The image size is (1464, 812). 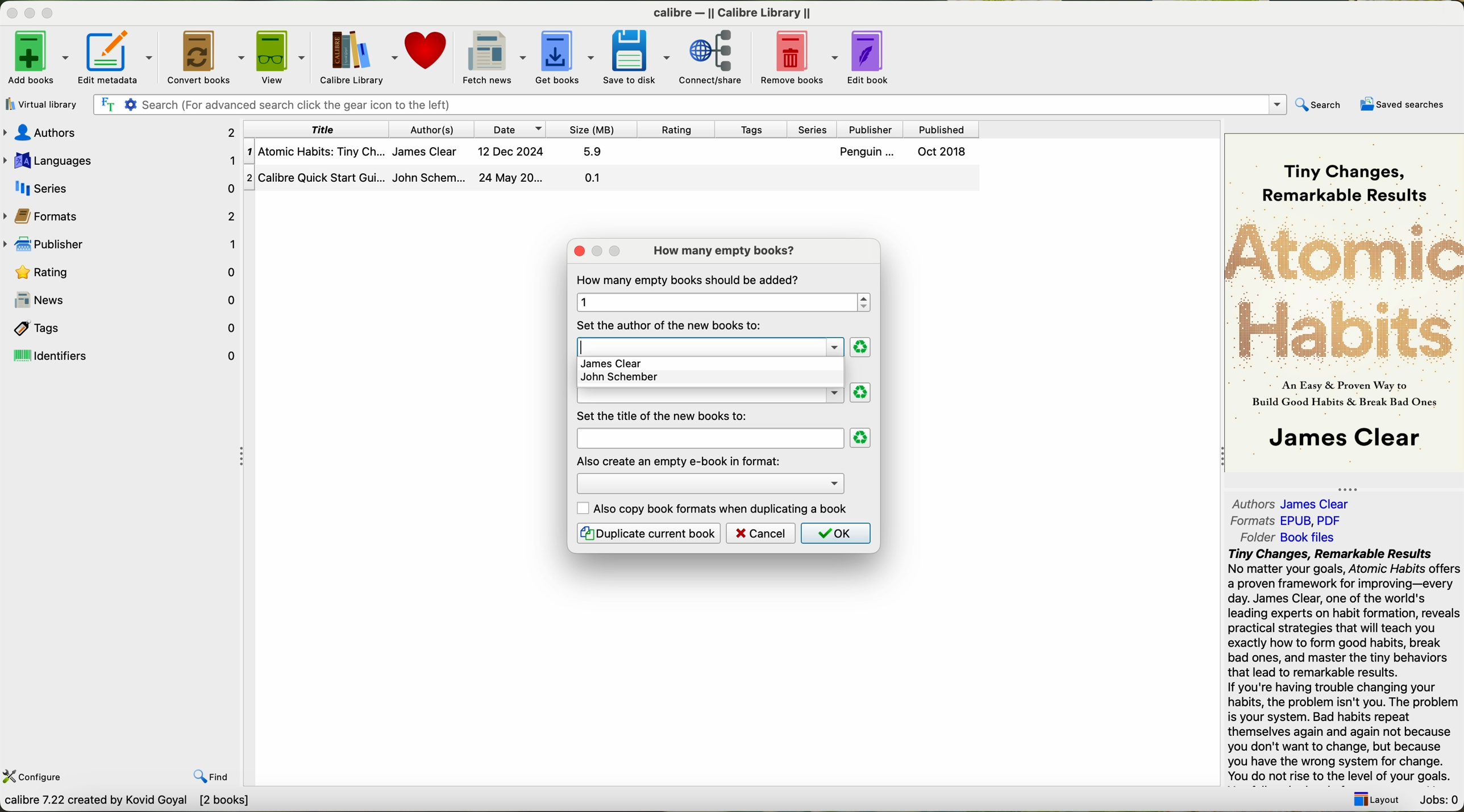 I want to click on formats, so click(x=123, y=215).